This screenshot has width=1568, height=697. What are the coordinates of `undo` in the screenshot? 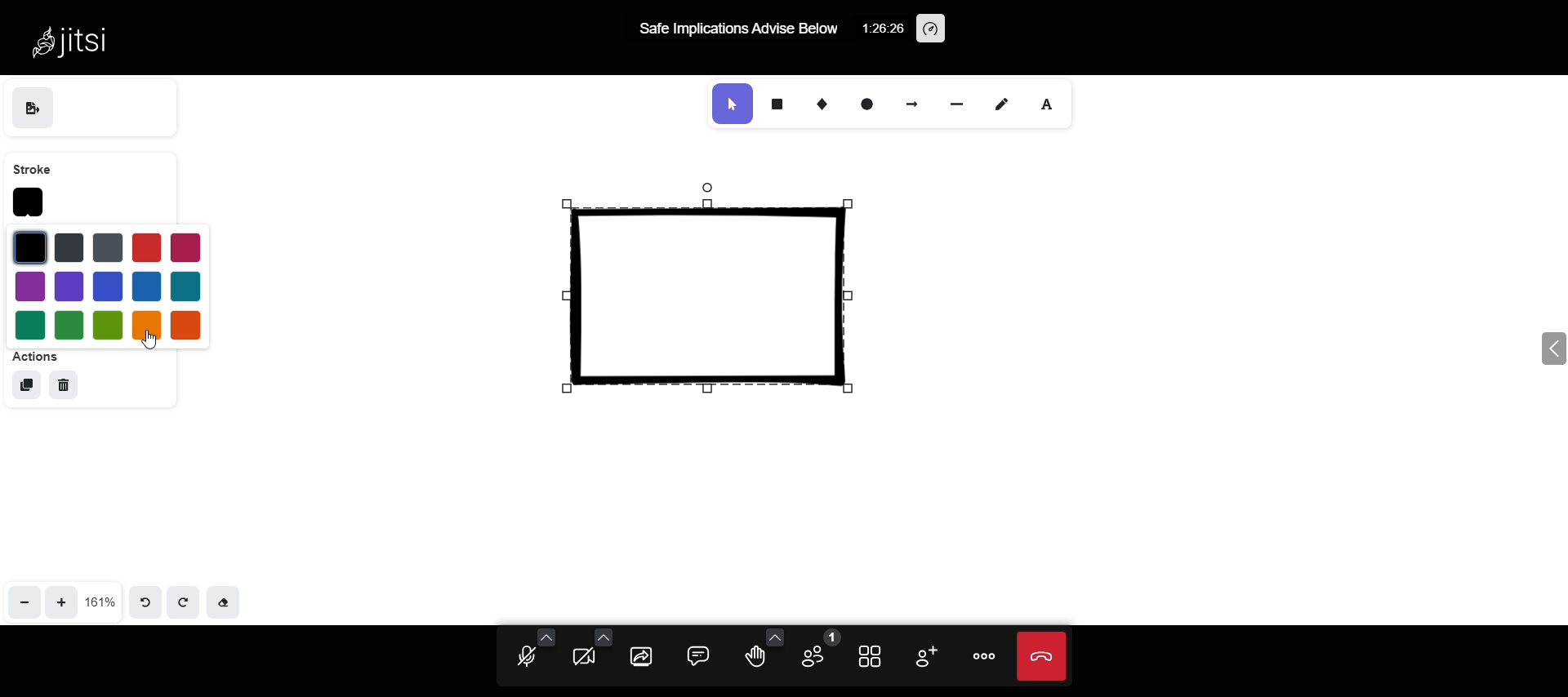 It's located at (145, 600).